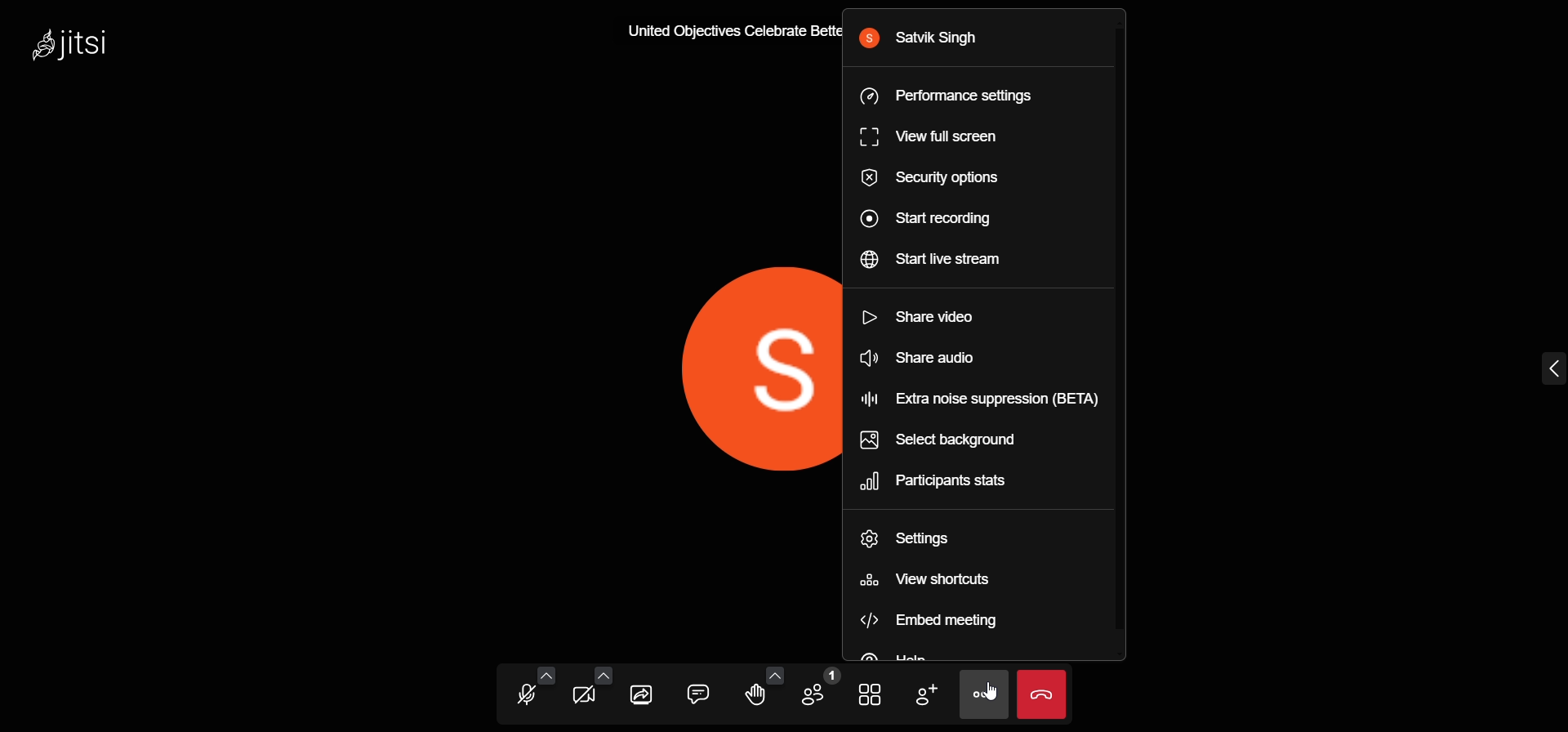 This screenshot has height=732, width=1568. I want to click on invite people, so click(925, 694).